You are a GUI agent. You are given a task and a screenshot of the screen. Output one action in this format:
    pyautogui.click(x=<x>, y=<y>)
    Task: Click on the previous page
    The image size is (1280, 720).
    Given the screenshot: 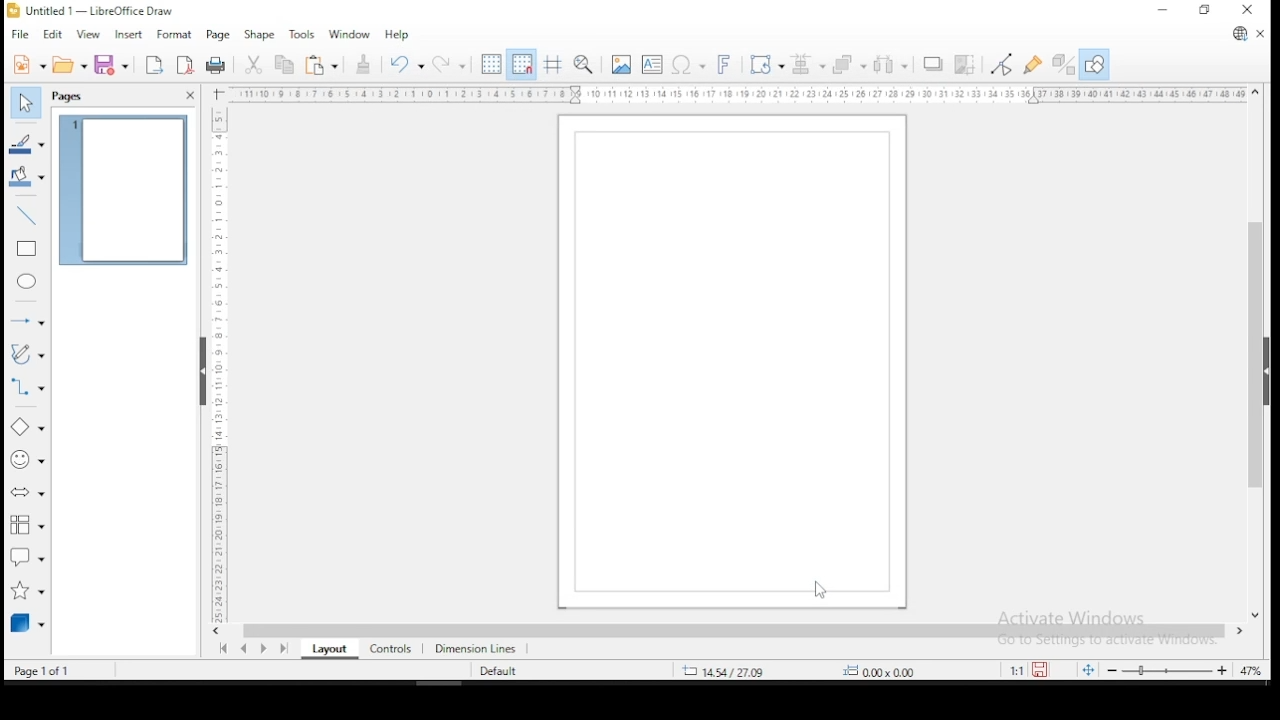 What is the action you would take?
    pyautogui.click(x=244, y=651)
    